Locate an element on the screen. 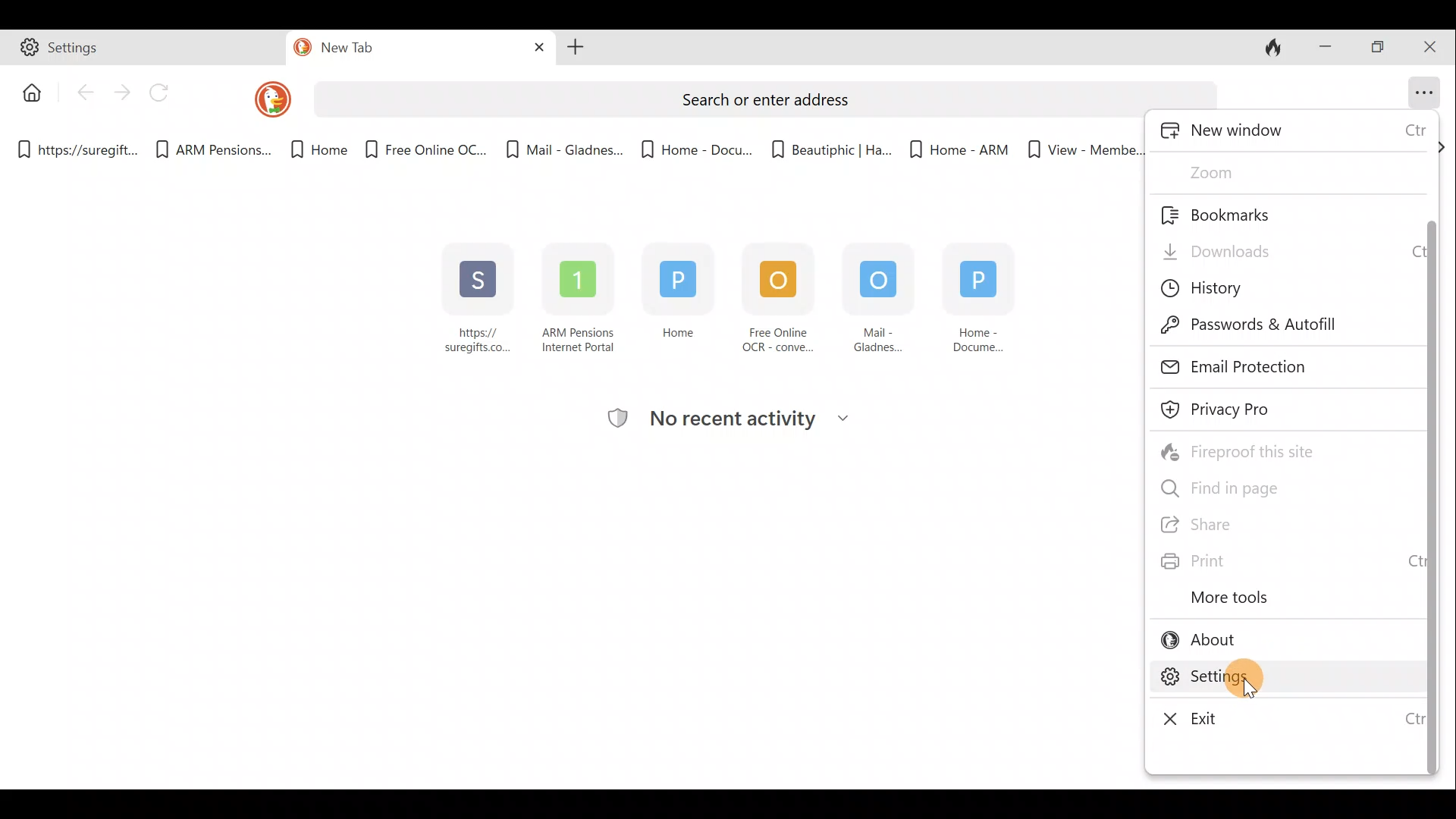 This screenshot has width=1456, height=819. Open new tab is located at coordinates (579, 48).